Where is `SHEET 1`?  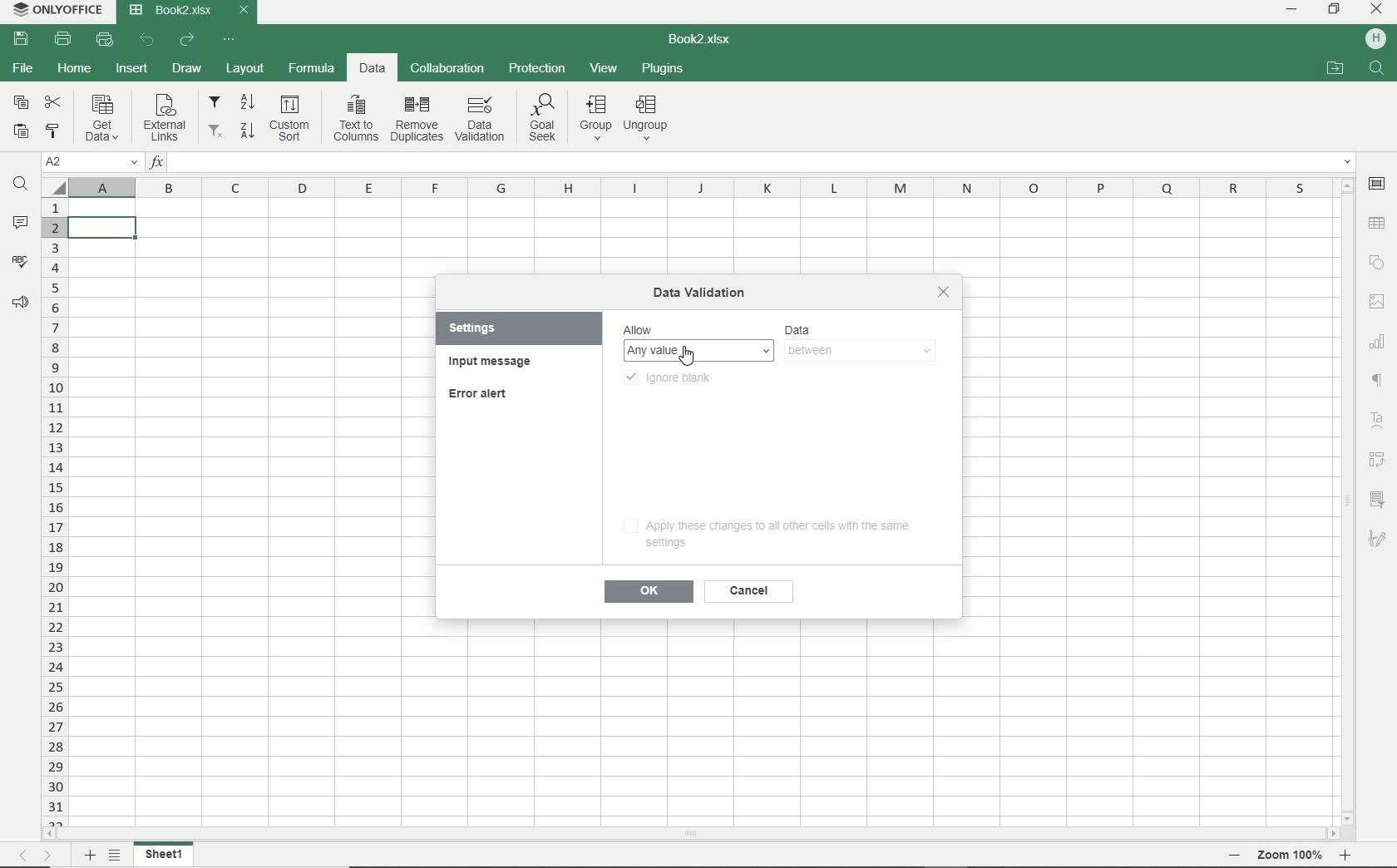 SHEET 1 is located at coordinates (165, 855).